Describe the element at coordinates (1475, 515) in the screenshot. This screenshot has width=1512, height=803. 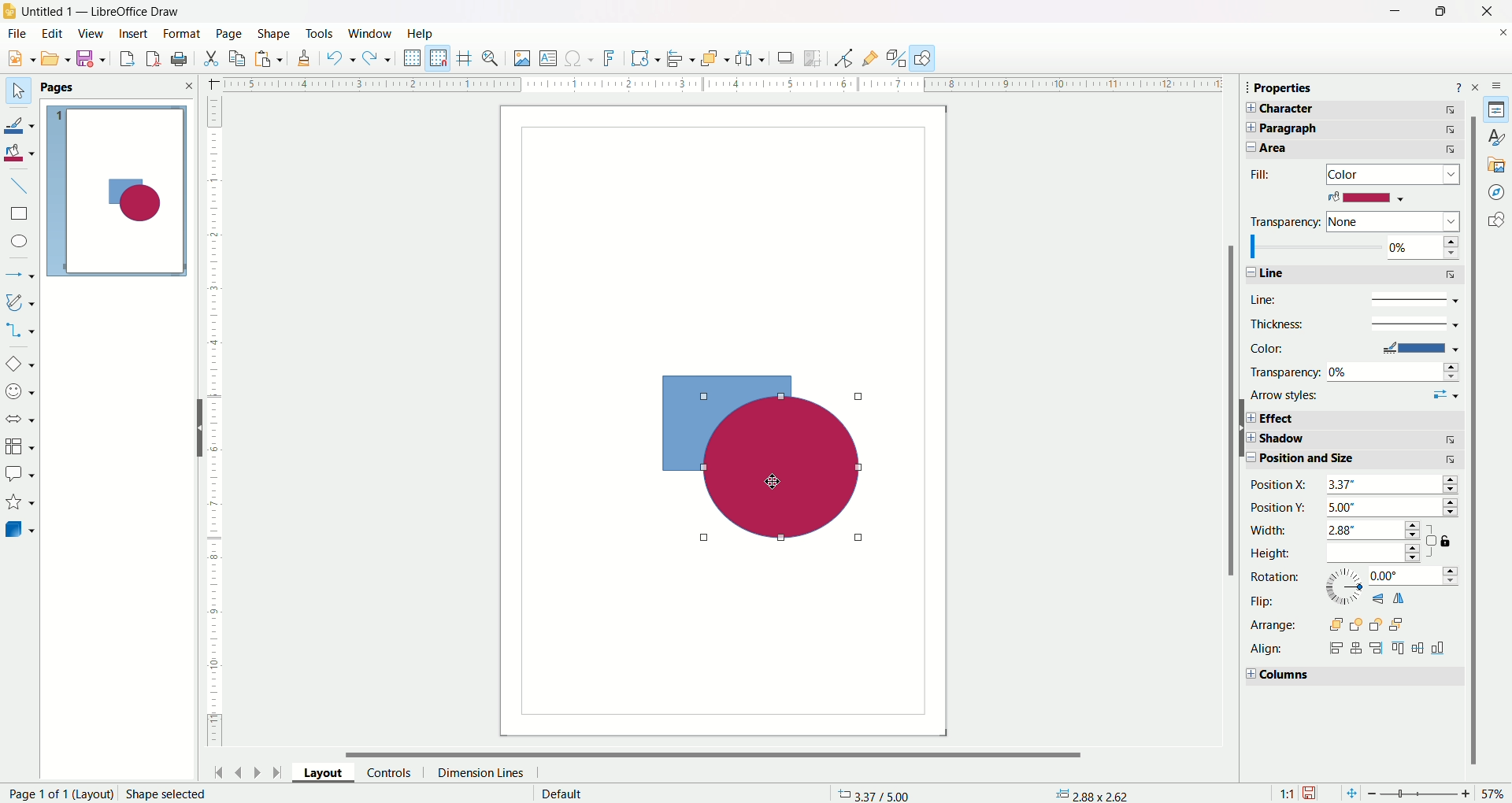
I see `vertical scroll bar` at that location.